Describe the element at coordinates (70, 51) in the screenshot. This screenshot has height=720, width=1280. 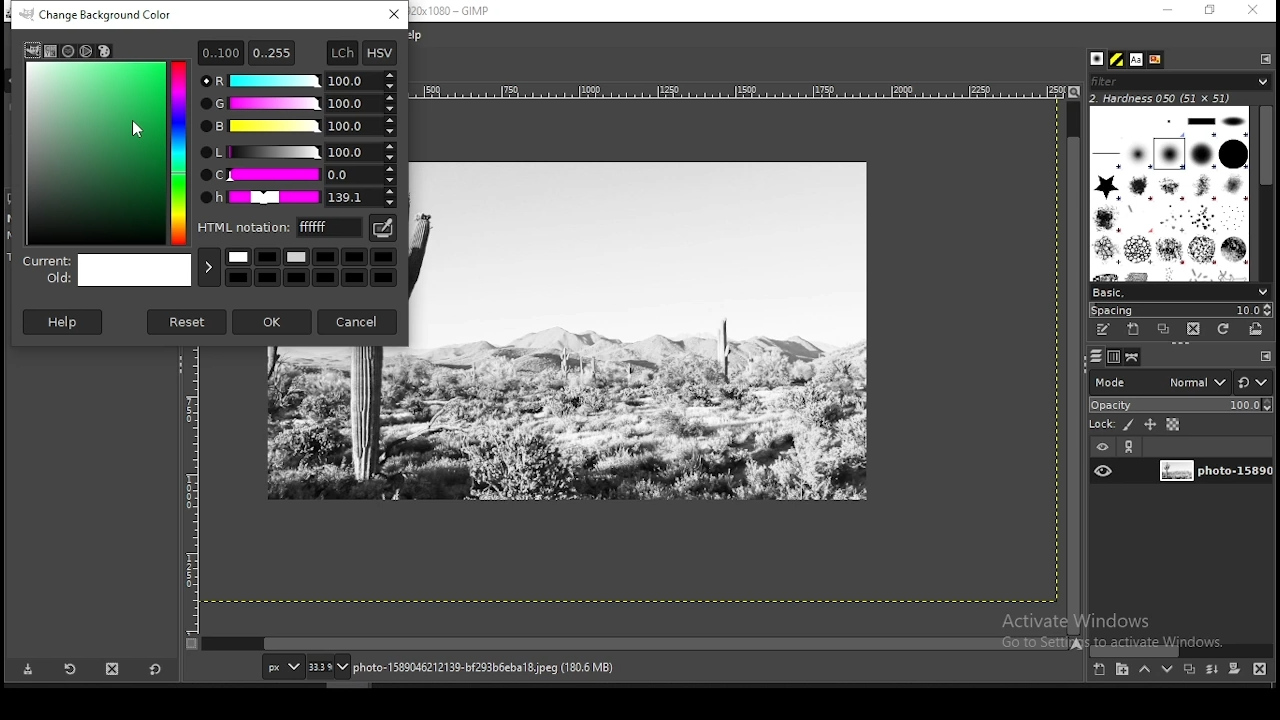
I see `watercolor` at that location.